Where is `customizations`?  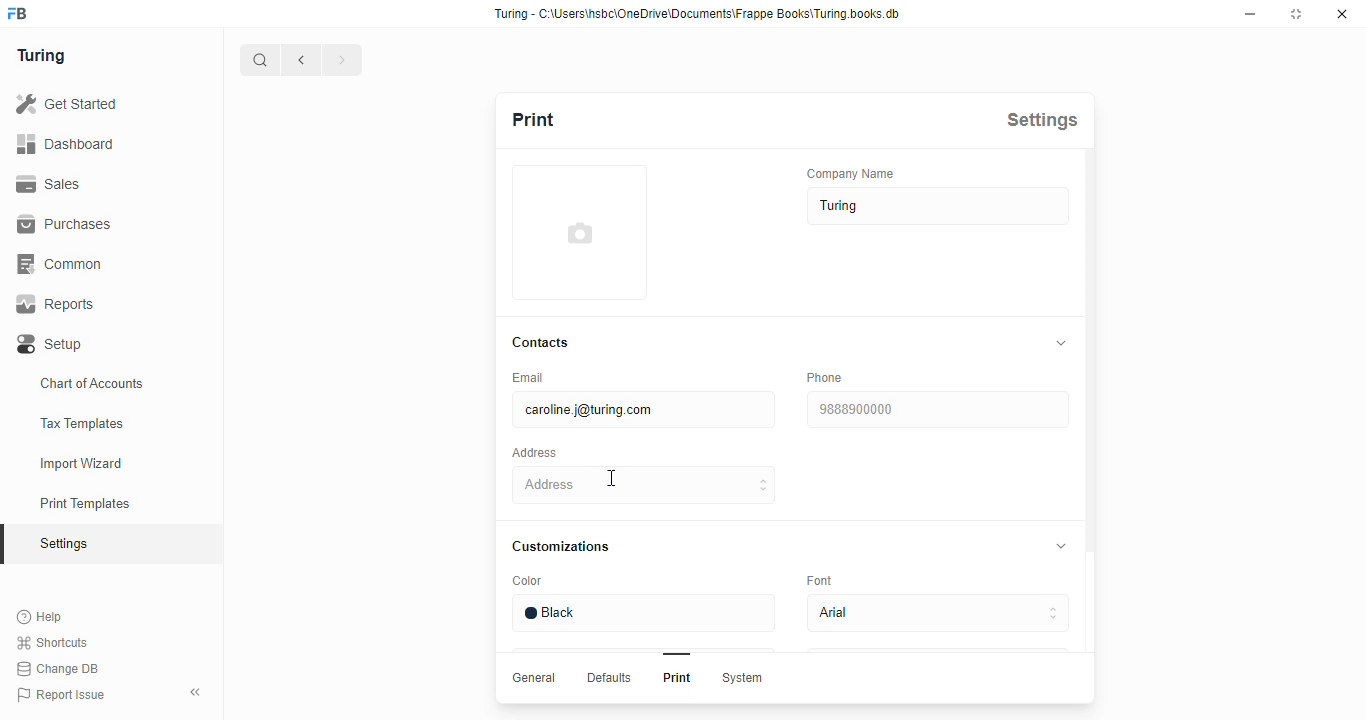
customizations is located at coordinates (560, 547).